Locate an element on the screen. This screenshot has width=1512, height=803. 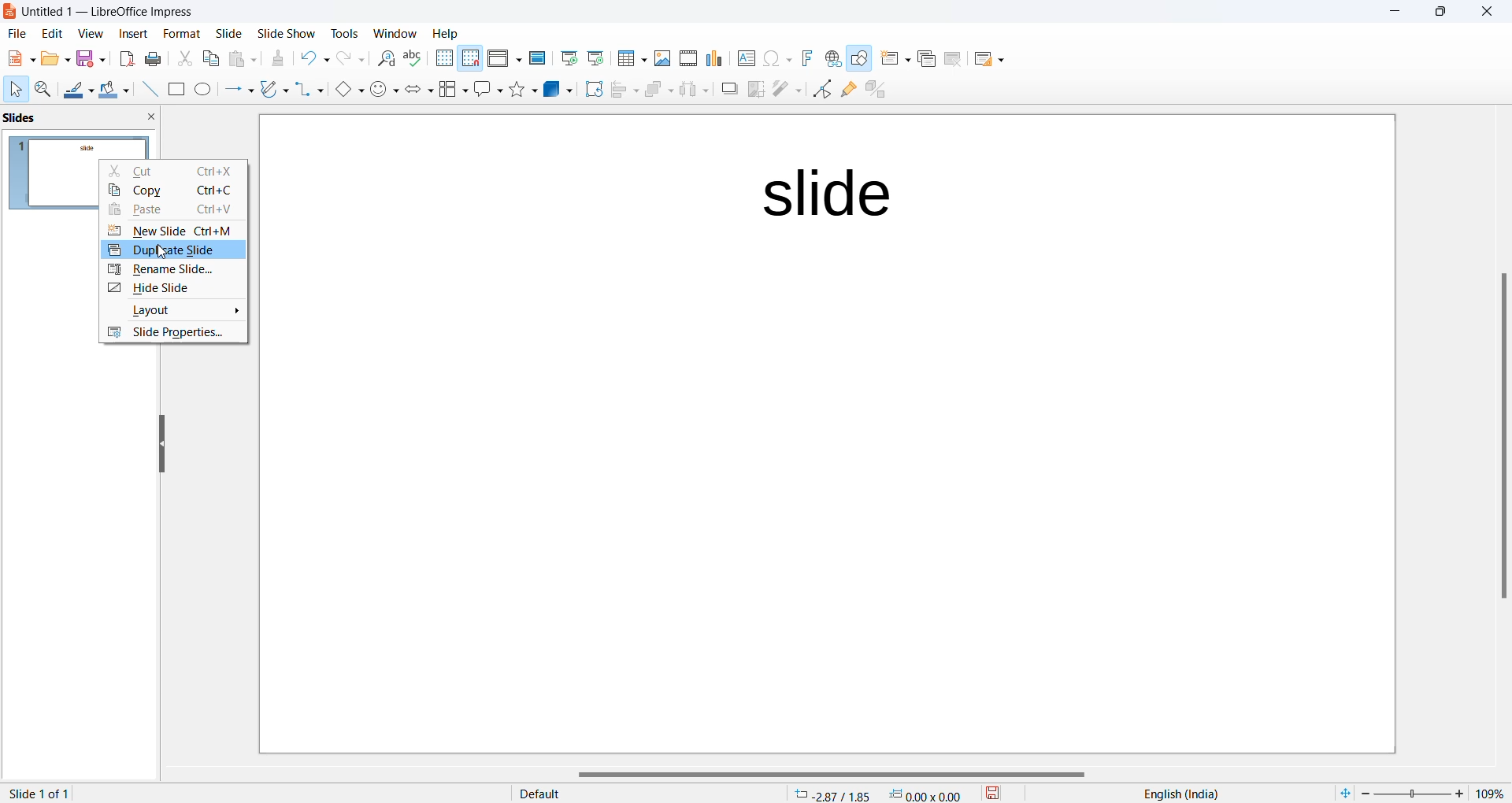
symbol shapes is located at coordinates (384, 90).